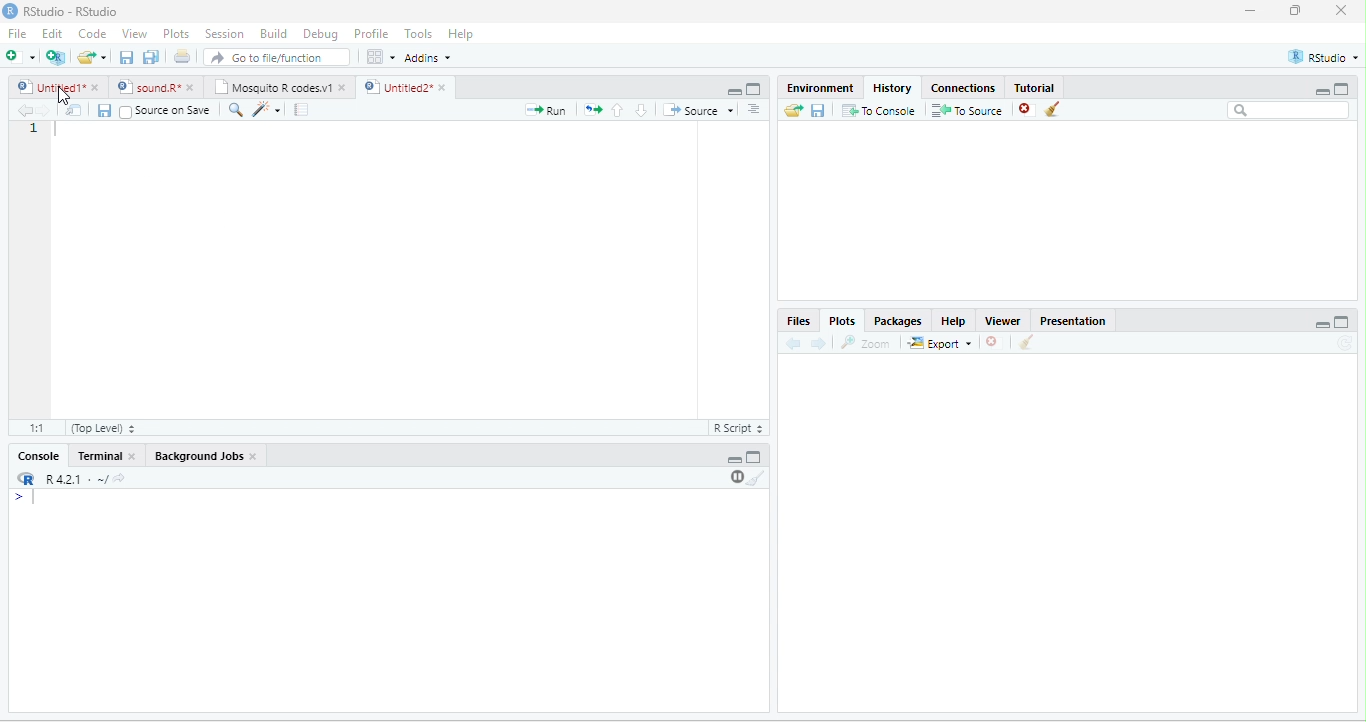 This screenshot has width=1366, height=722. I want to click on Source, so click(698, 110).